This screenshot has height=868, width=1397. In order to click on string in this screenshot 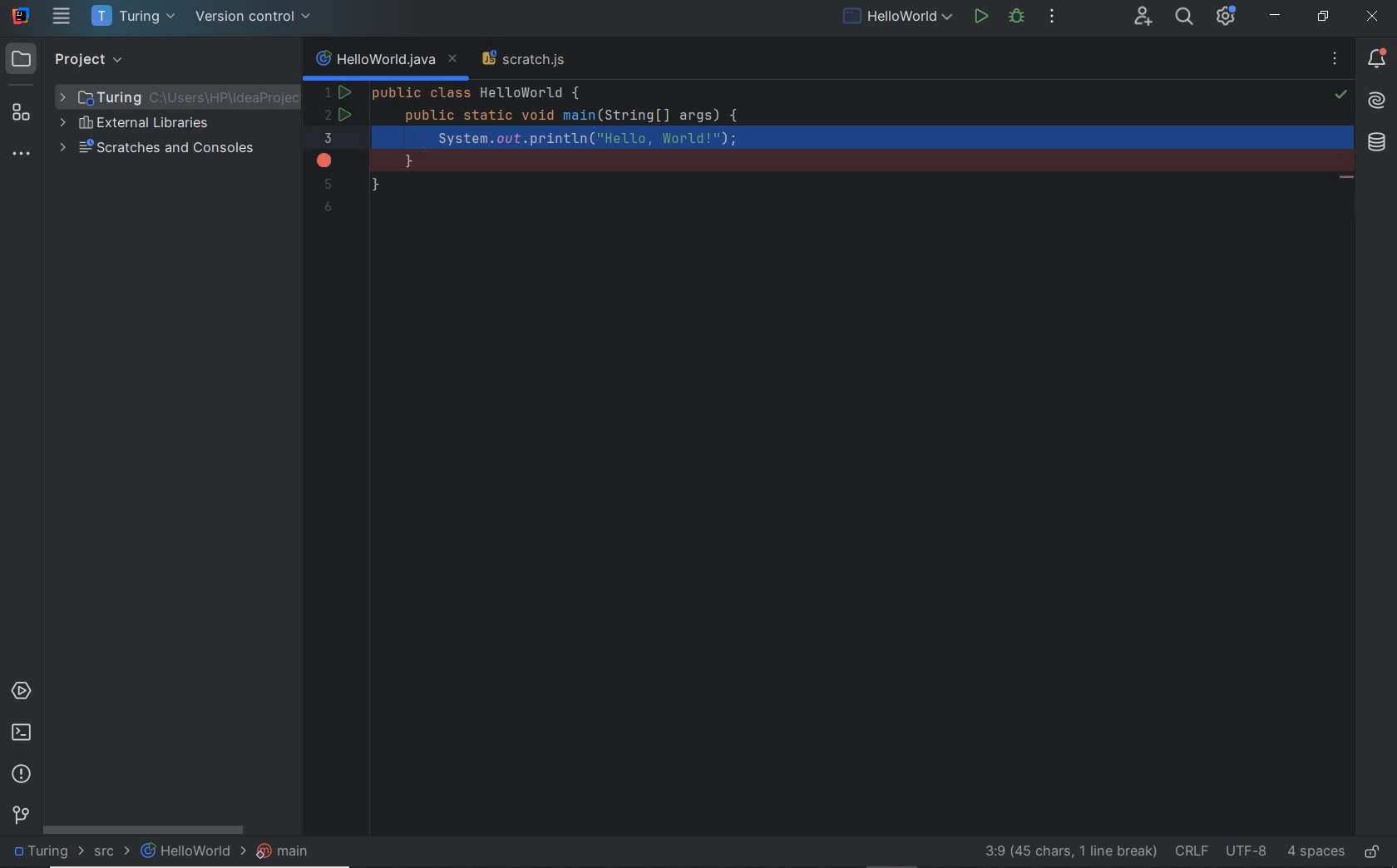, I will do `click(1348, 180)`.